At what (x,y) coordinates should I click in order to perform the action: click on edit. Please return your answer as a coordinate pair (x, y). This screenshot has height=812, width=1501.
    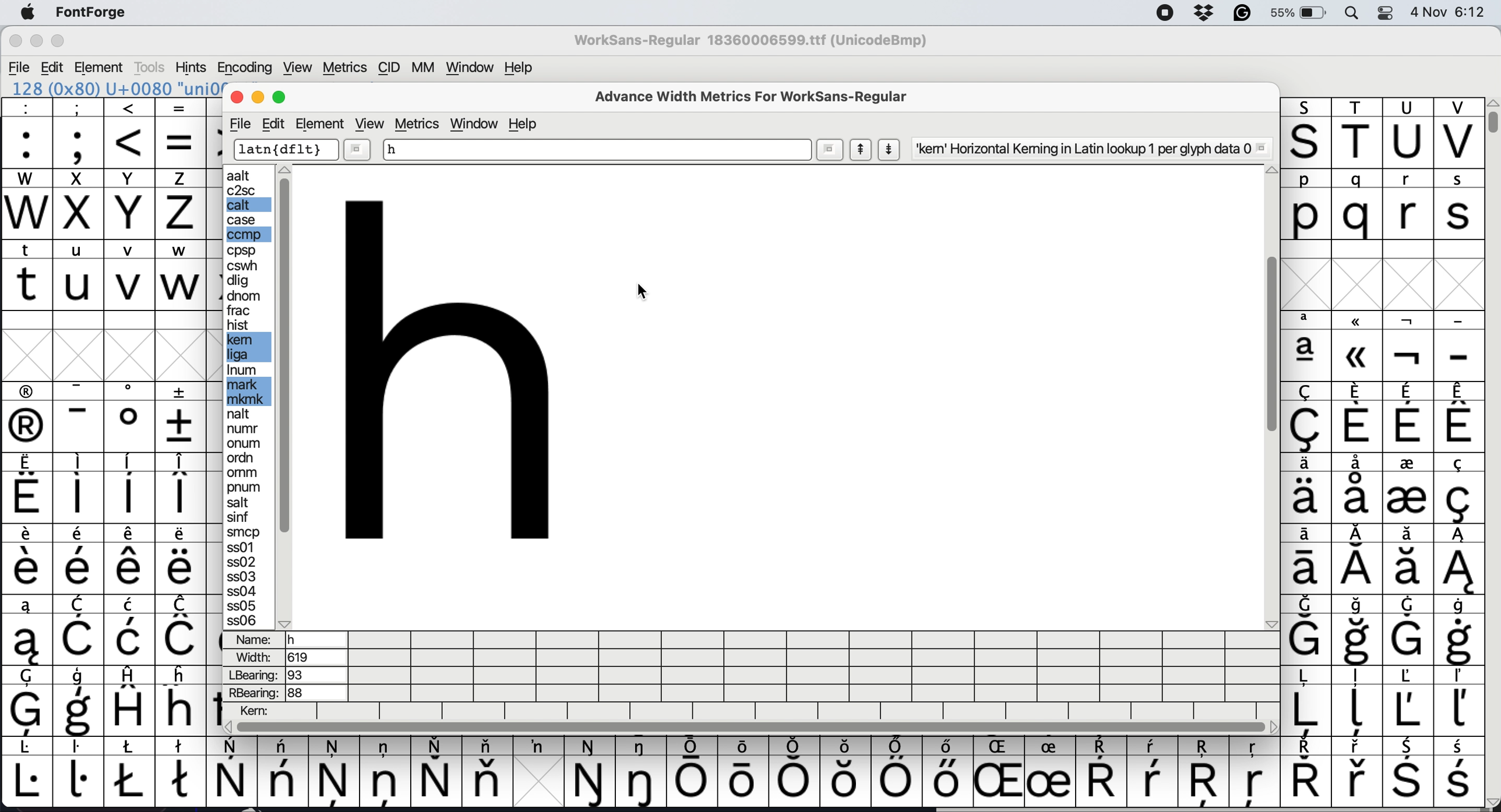
    Looking at the image, I should click on (275, 124).